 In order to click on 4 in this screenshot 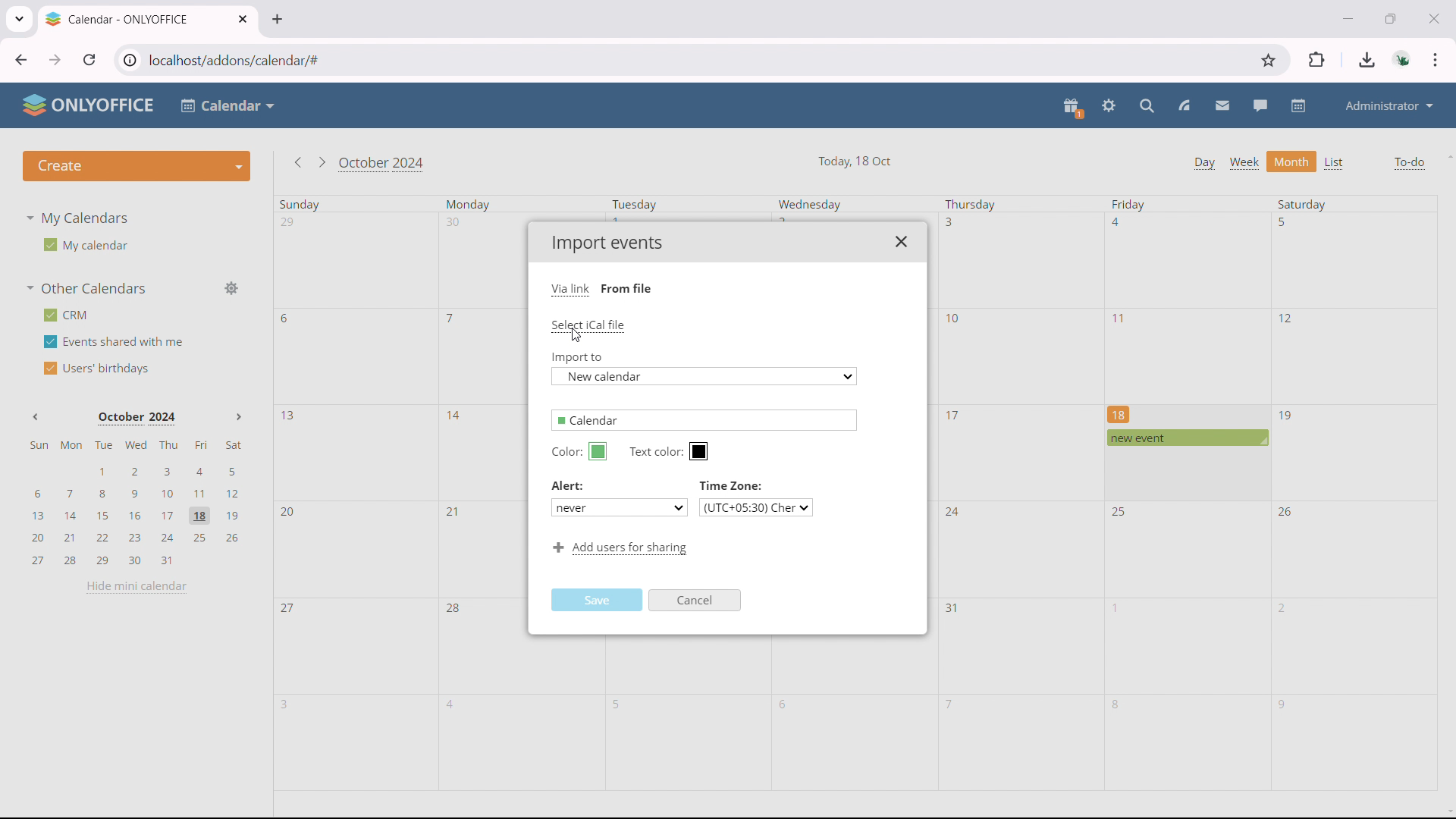, I will do `click(453, 704)`.